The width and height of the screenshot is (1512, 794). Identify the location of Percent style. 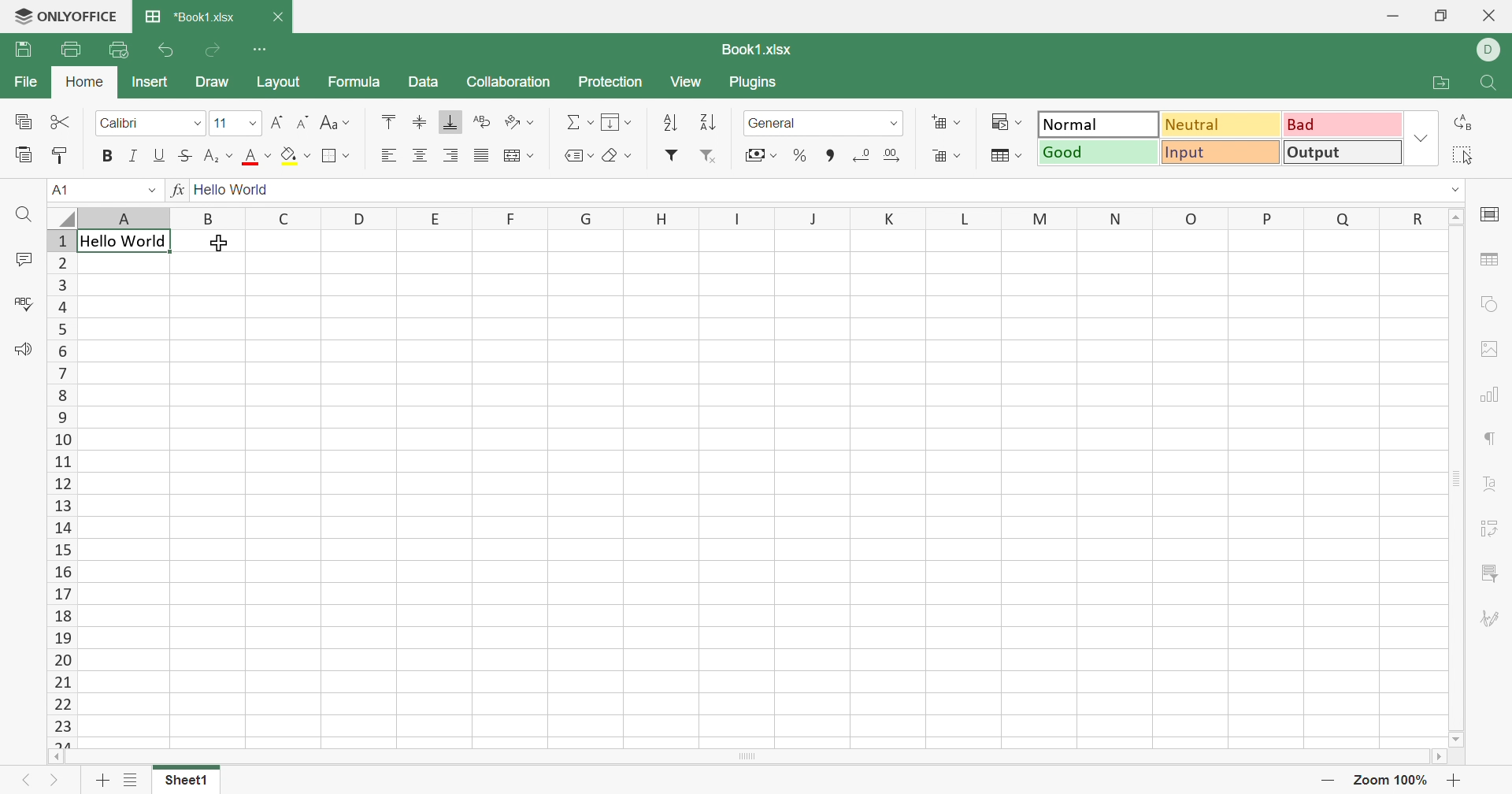
(801, 156).